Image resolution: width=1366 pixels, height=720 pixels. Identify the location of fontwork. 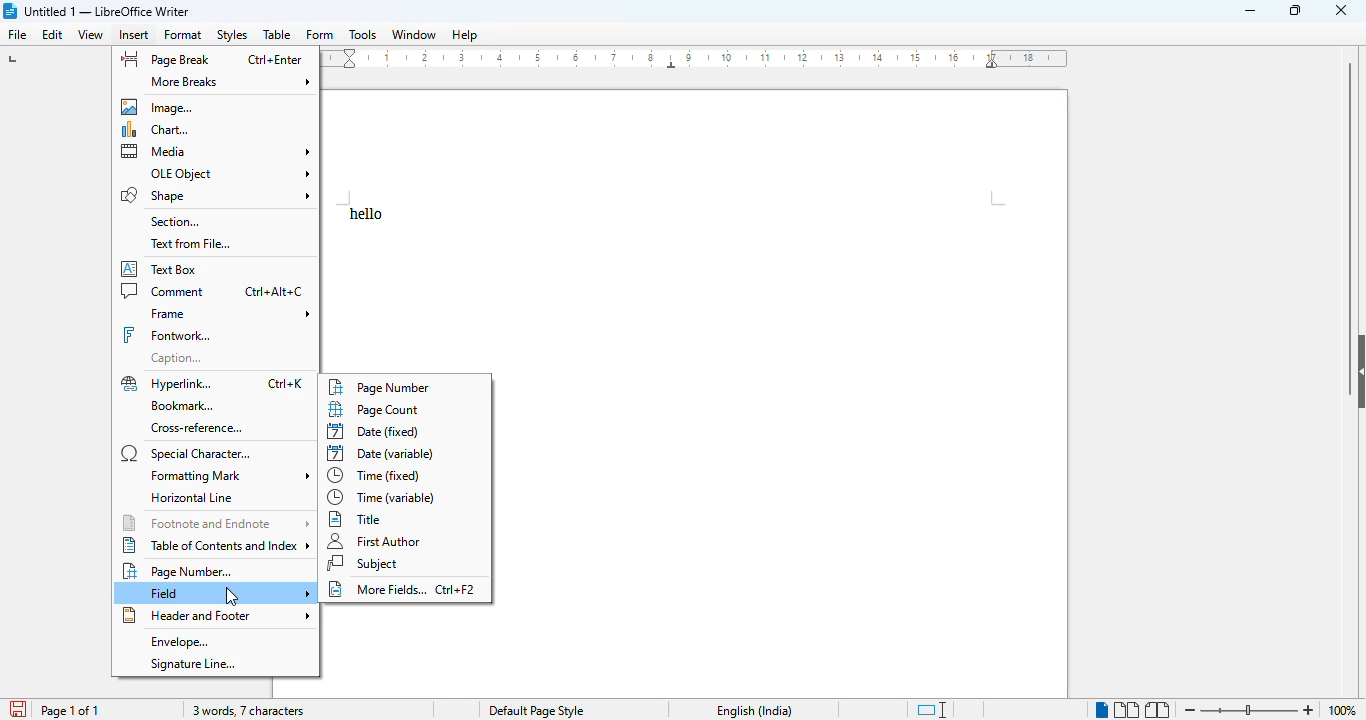
(167, 335).